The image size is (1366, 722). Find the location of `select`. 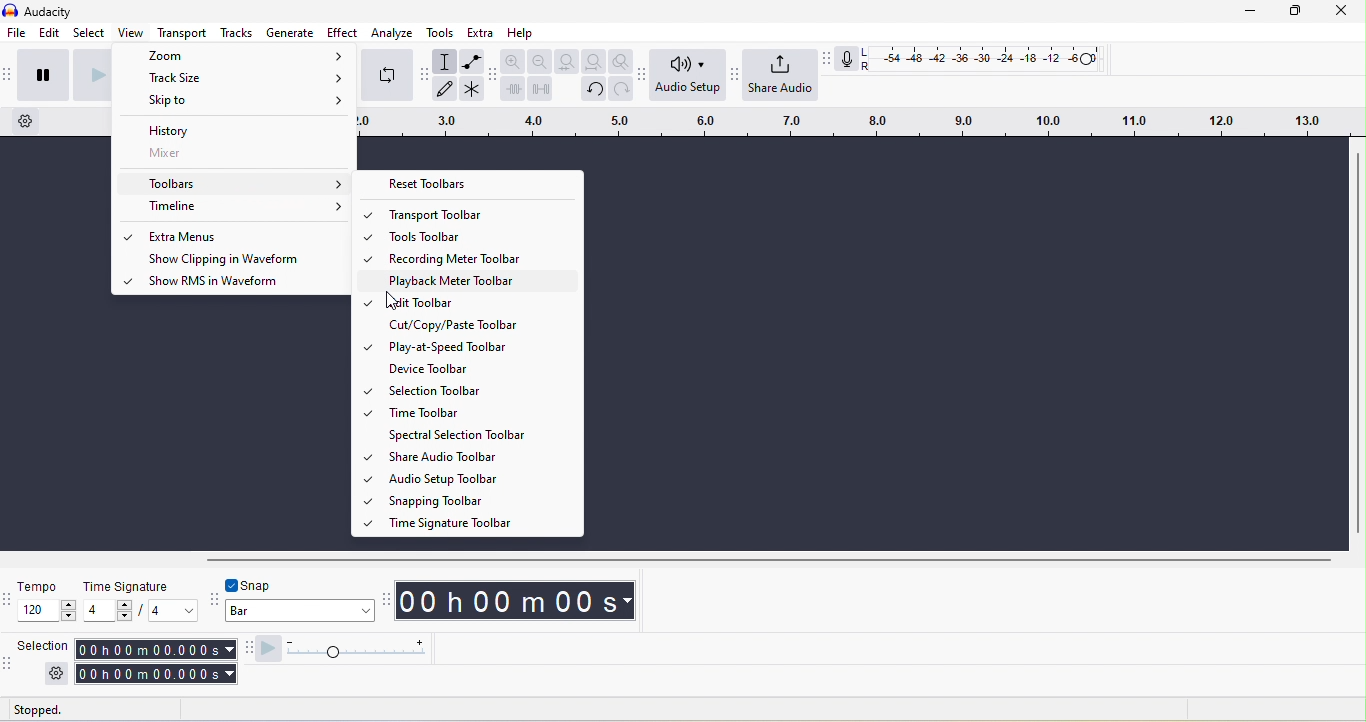

select is located at coordinates (89, 32).